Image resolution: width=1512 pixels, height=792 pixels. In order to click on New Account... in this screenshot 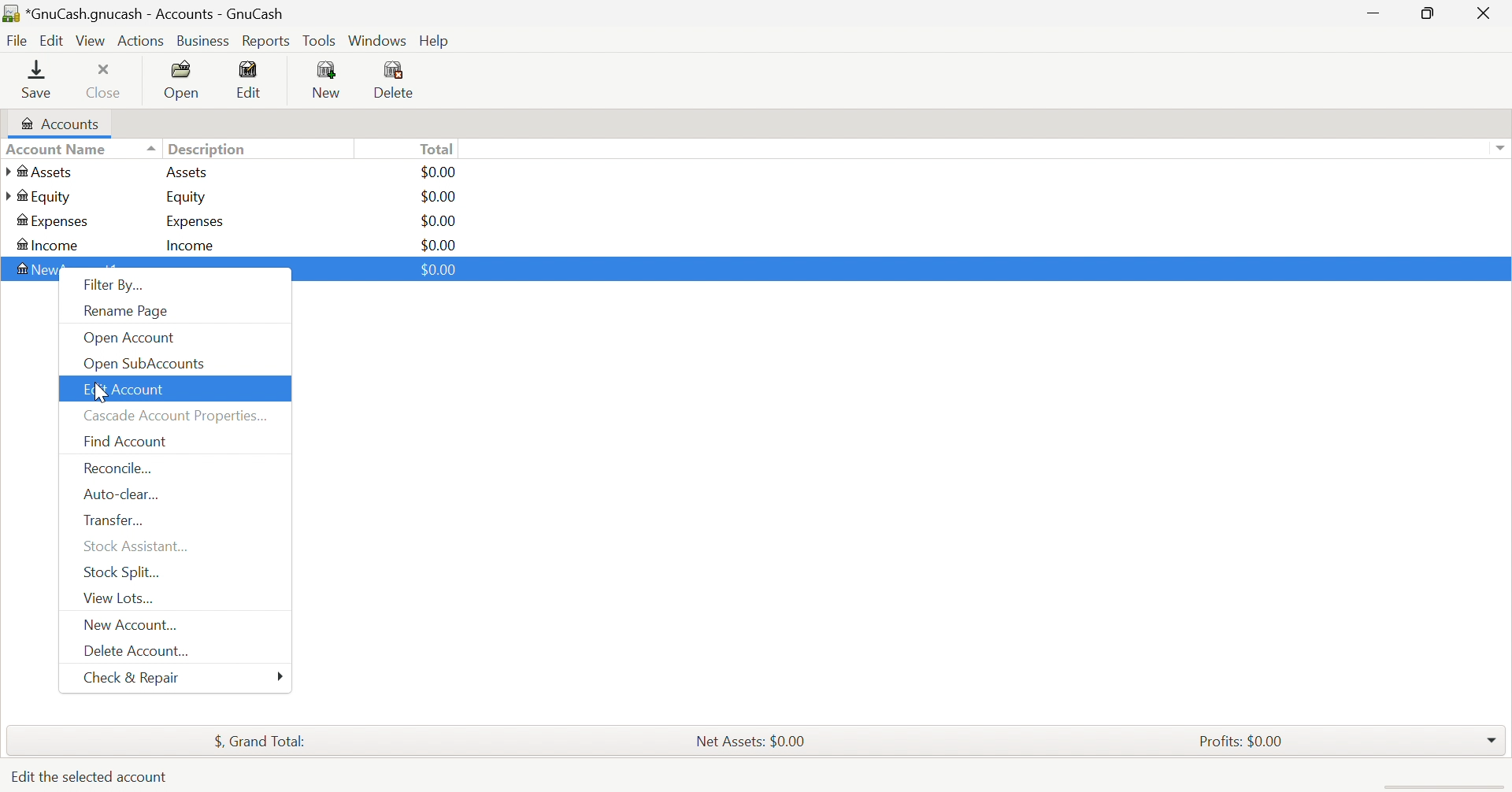, I will do `click(131, 624)`.